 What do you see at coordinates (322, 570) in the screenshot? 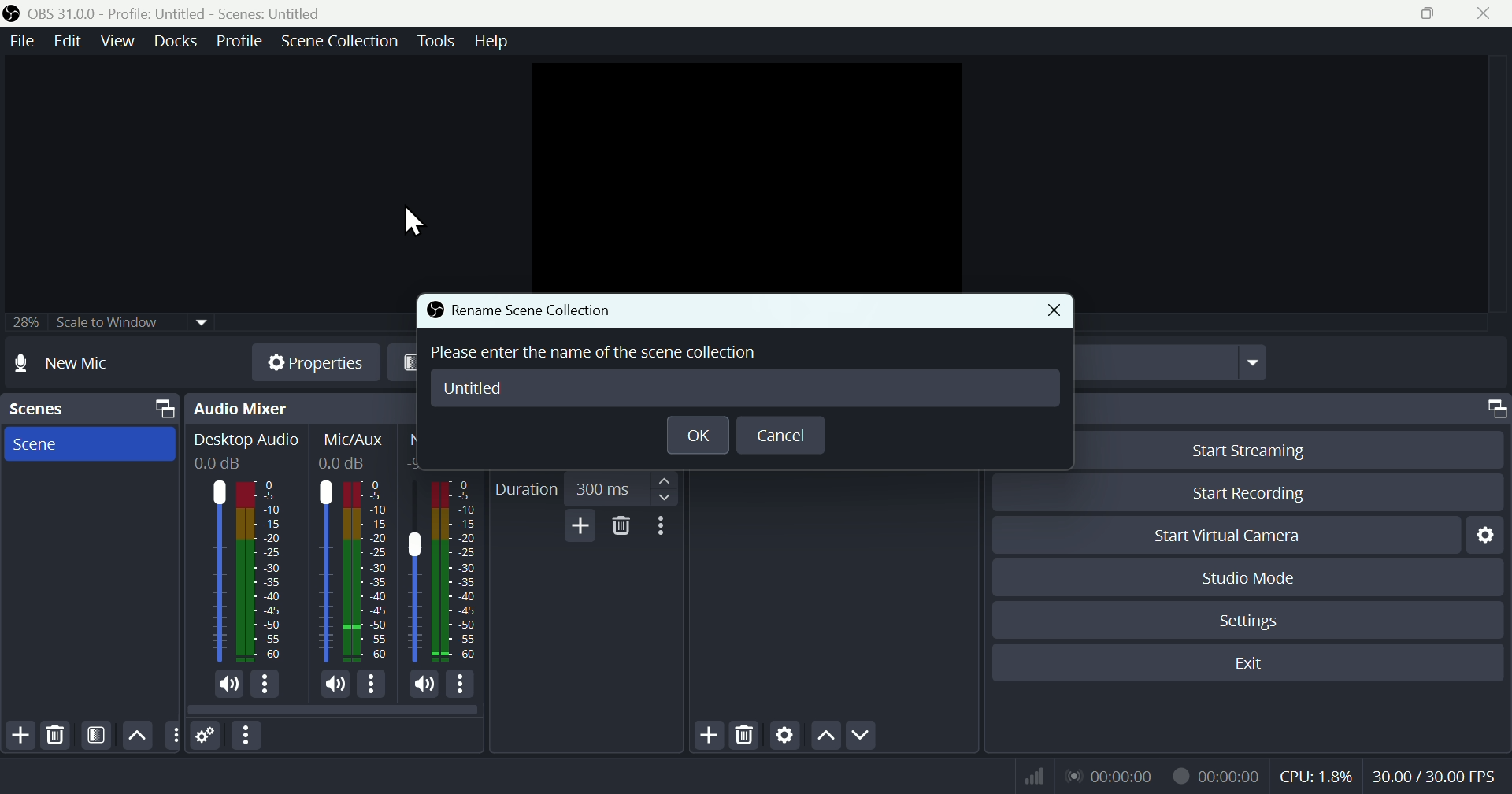
I see `Mic/Aux` at bounding box center [322, 570].